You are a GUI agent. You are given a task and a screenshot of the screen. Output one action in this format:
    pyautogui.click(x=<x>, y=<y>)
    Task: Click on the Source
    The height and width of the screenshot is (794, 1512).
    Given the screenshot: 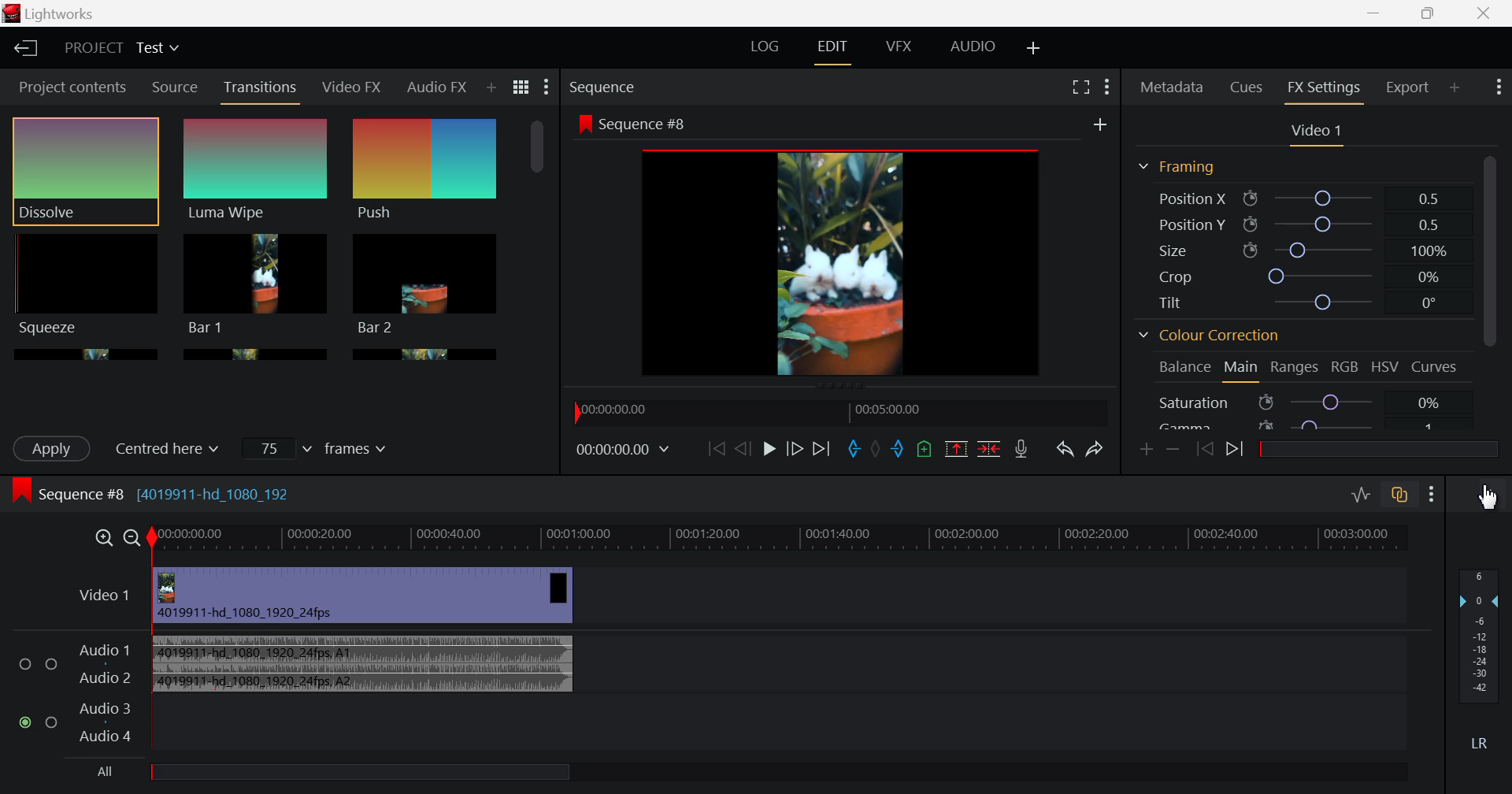 What is the action you would take?
    pyautogui.click(x=176, y=86)
    